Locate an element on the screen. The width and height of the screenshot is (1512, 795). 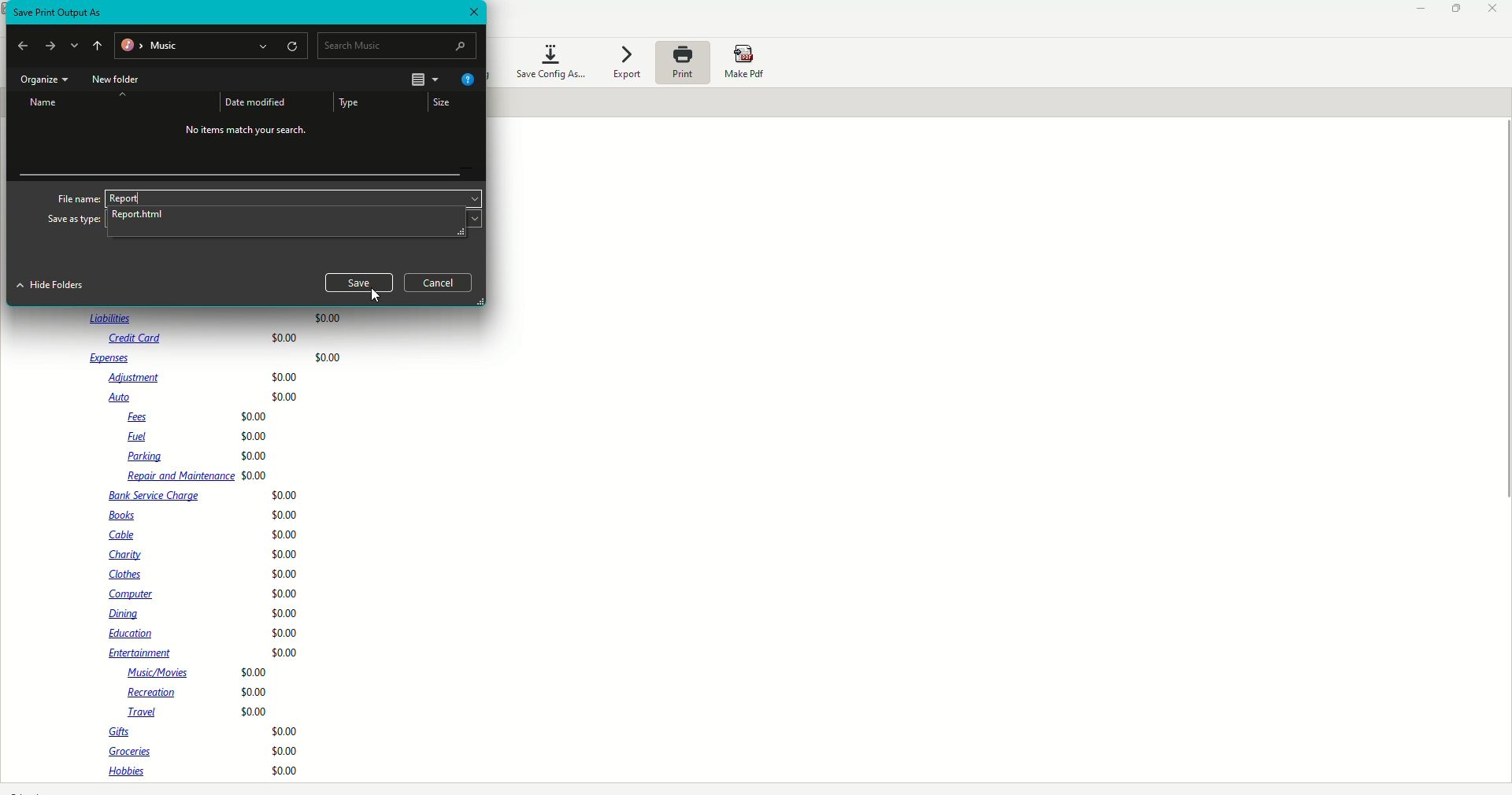
Report.html is located at coordinates (142, 214).